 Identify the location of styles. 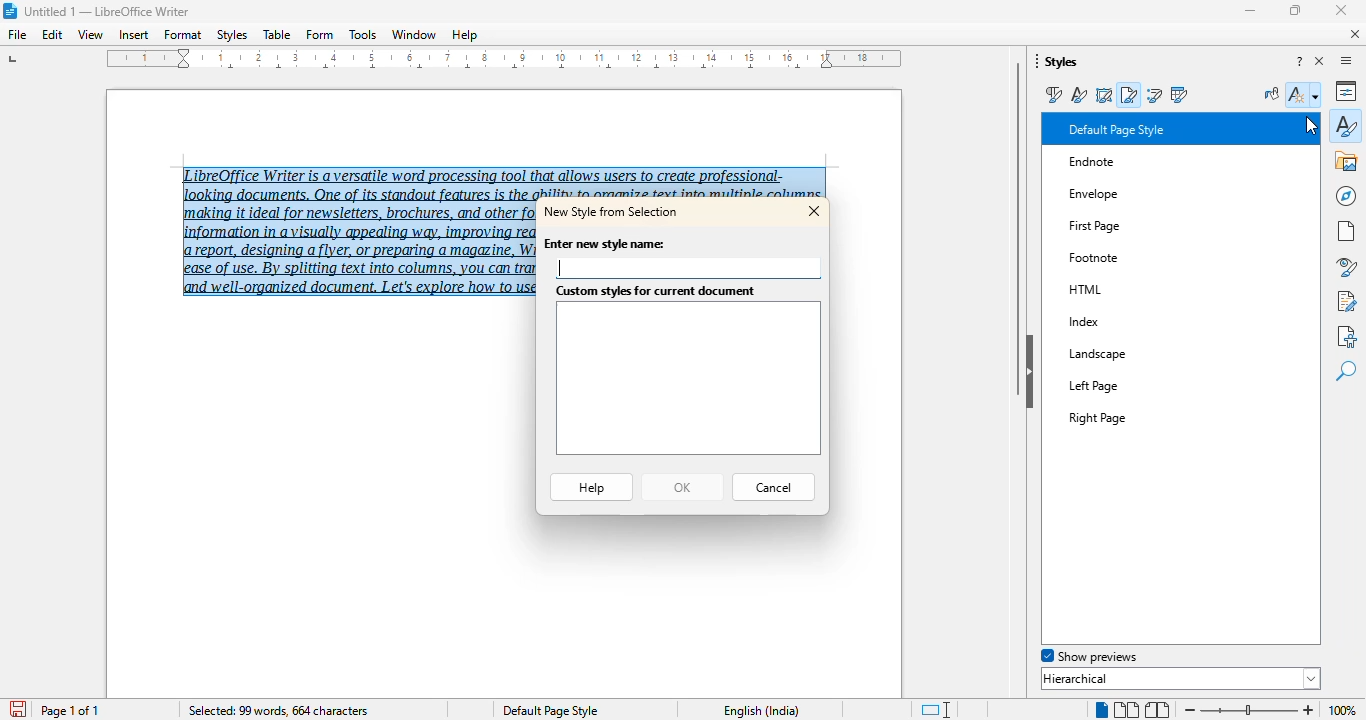
(1059, 62).